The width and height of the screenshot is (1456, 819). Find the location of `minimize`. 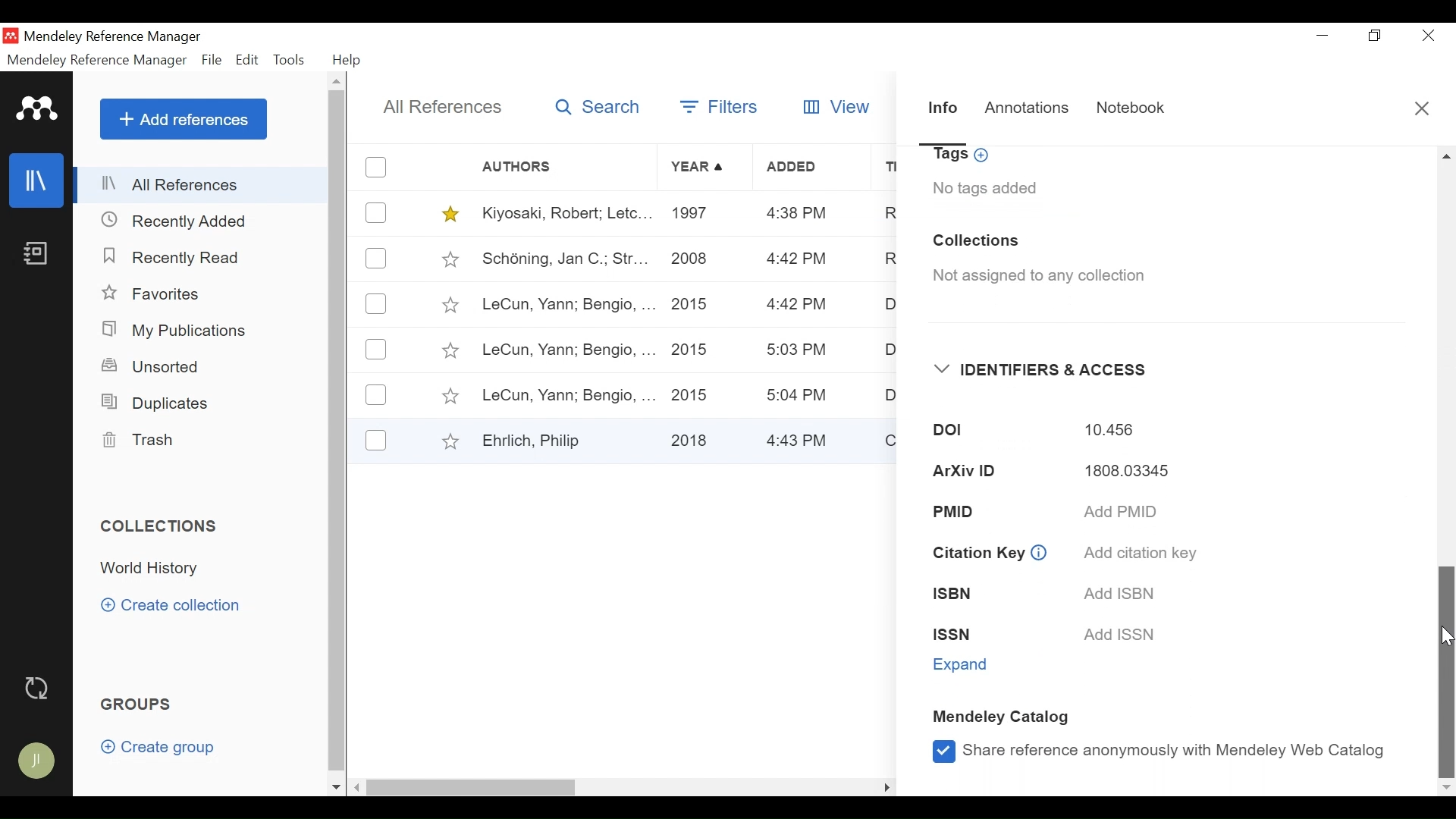

minimize is located at coordinates (1323, 36).